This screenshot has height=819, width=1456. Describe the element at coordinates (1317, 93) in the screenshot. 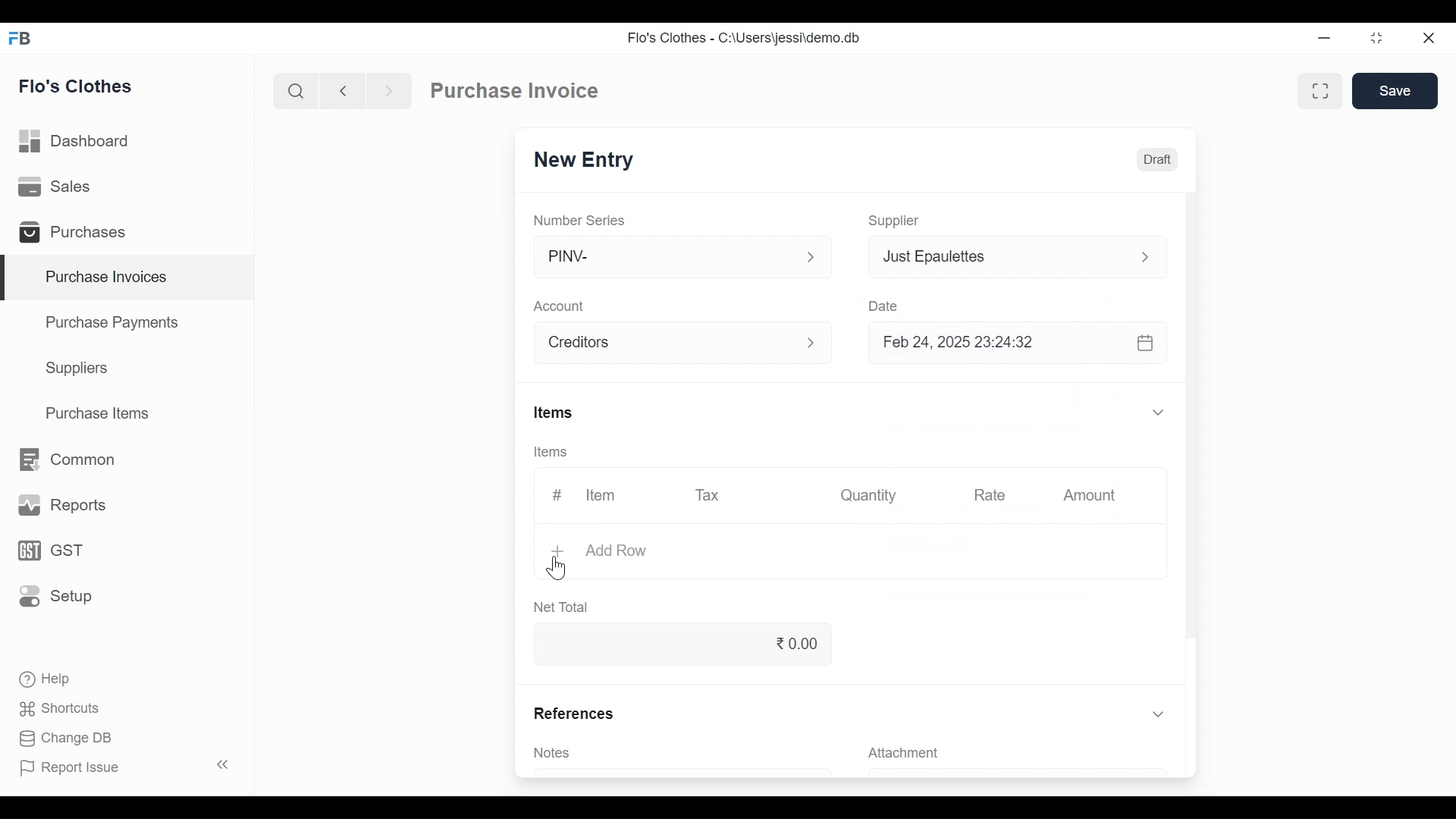

I see `Toggle between form and full width` at that location.